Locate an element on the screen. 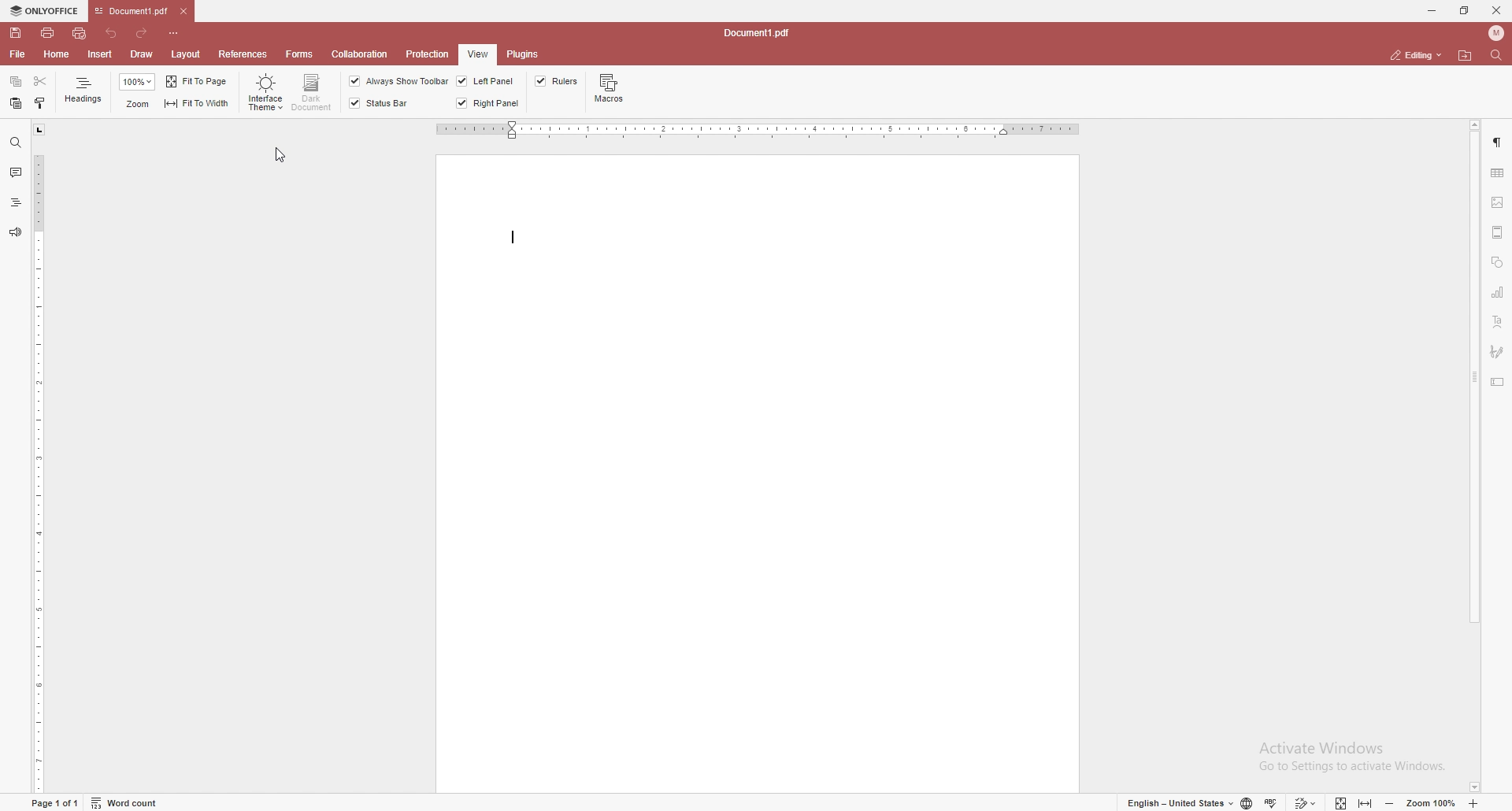  change doc language is located at coordinates (1248, 802).